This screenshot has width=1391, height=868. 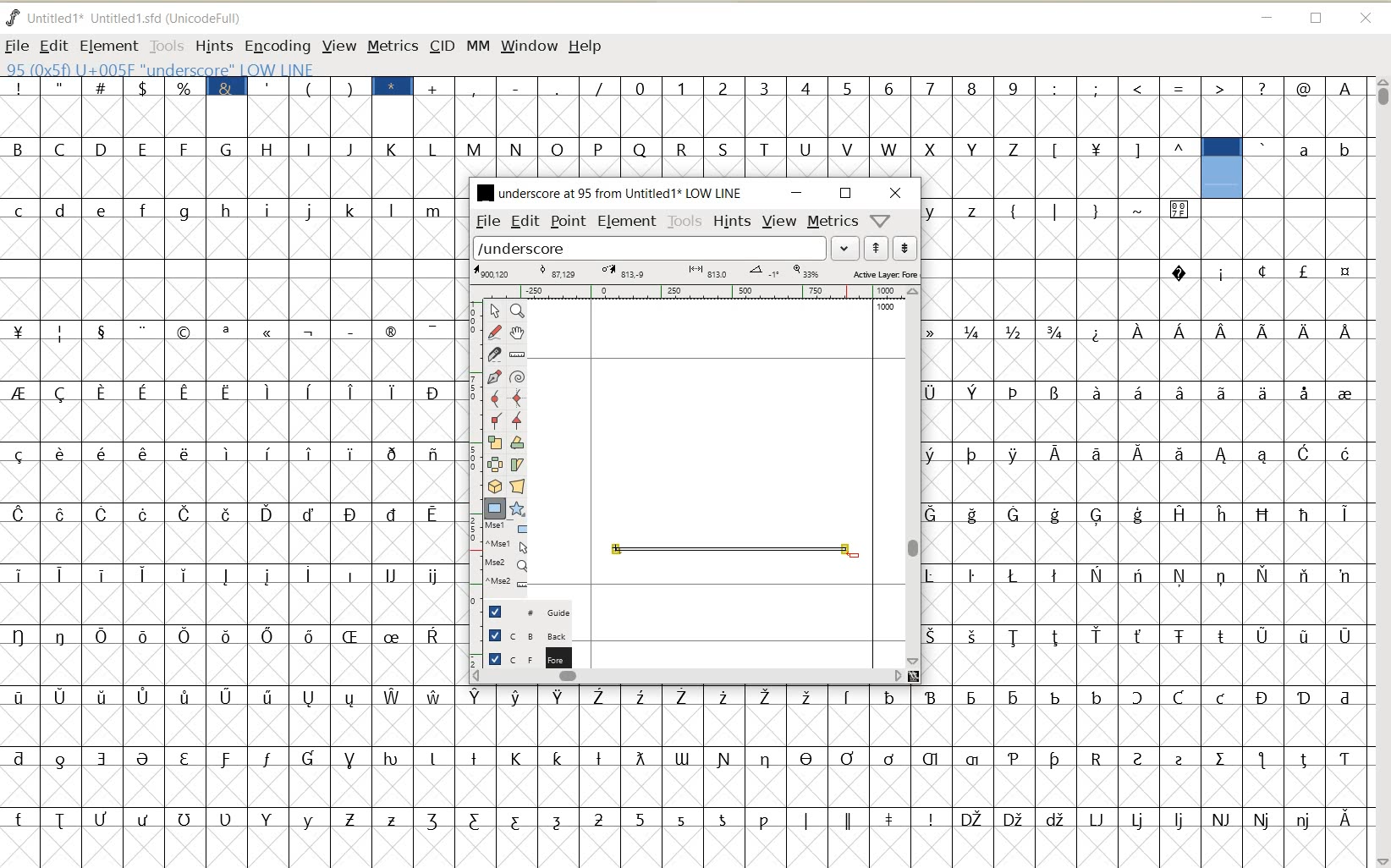 What do you see at coordinates (650, 247) in the screenshot?
I see `load word list` at bounding box center [650, 247].